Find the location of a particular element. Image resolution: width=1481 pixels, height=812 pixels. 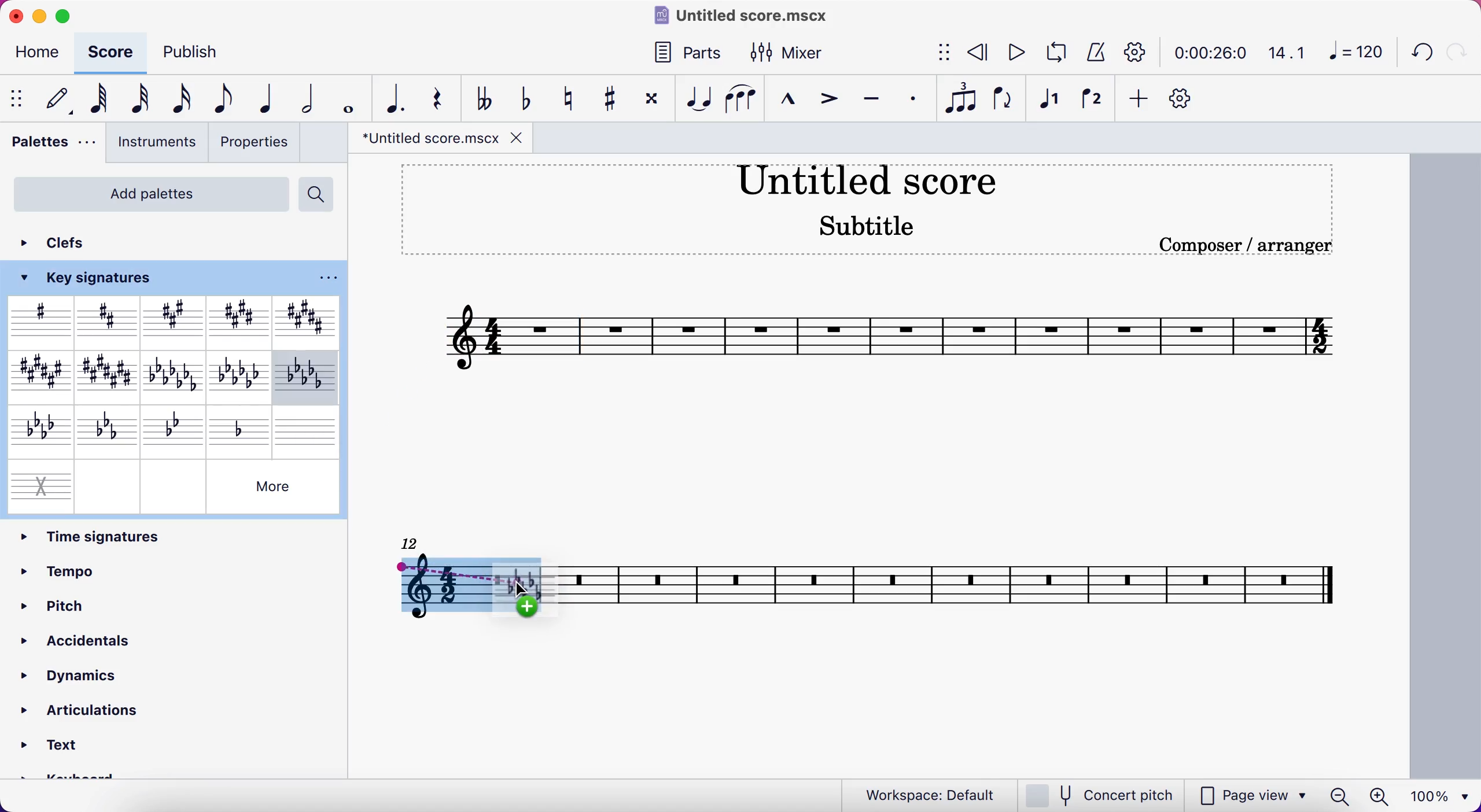

marcato is located at coordinates (791, 105).